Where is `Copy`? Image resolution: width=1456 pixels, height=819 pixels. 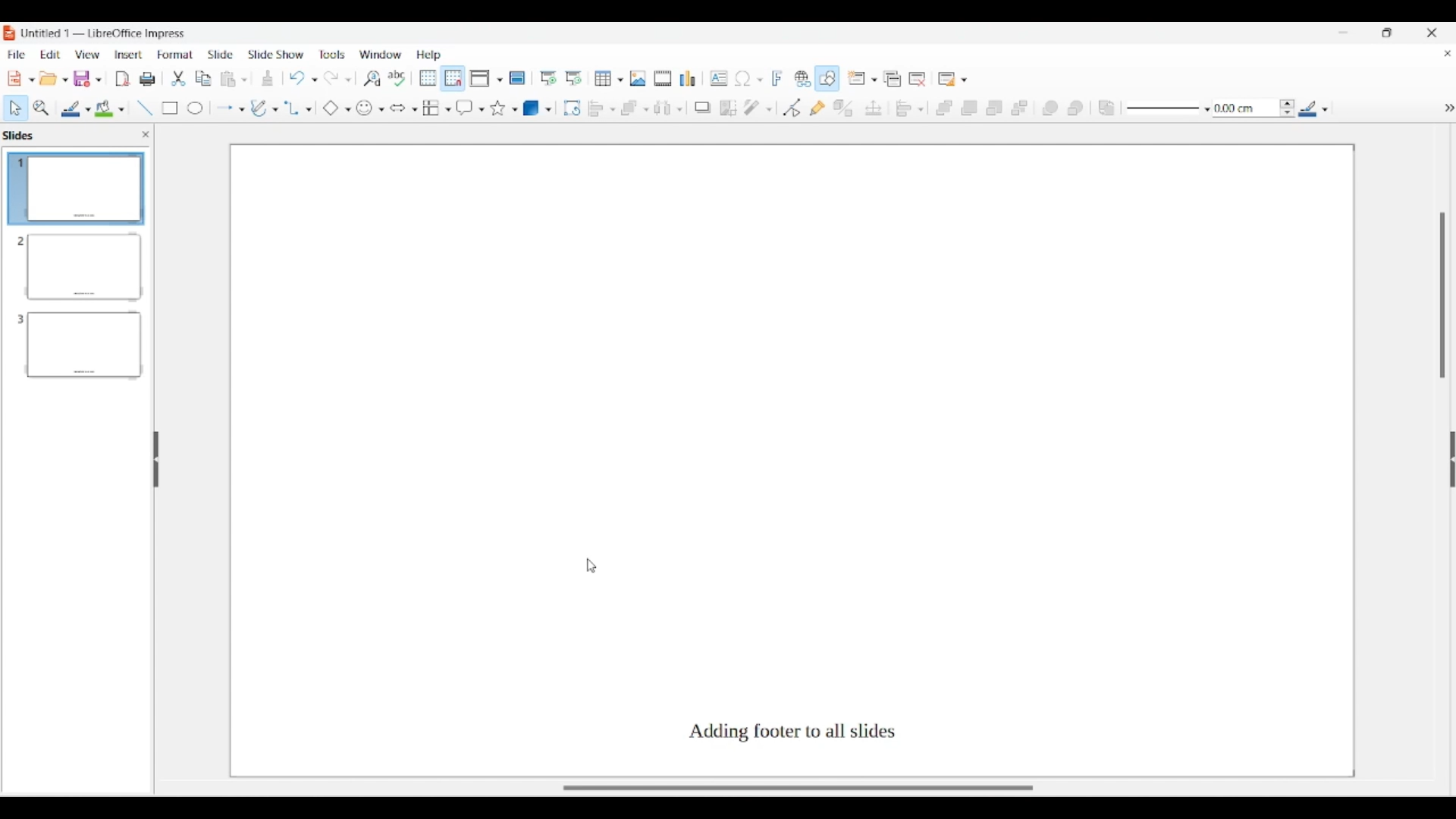 Copy is located at coordinates (199, 77).